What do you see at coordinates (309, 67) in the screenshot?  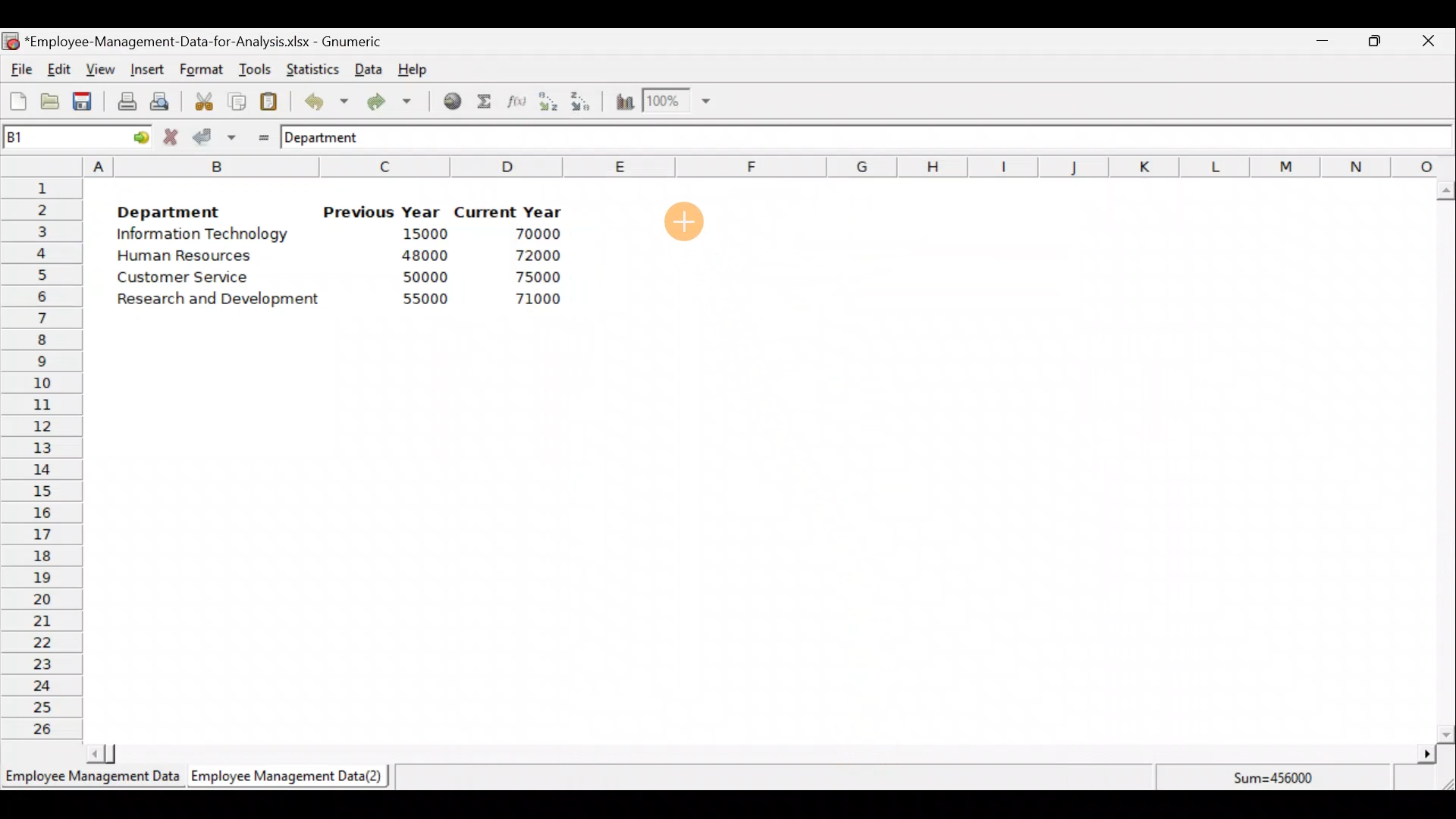 I see `Statistics` at bounding box center [309, 67].